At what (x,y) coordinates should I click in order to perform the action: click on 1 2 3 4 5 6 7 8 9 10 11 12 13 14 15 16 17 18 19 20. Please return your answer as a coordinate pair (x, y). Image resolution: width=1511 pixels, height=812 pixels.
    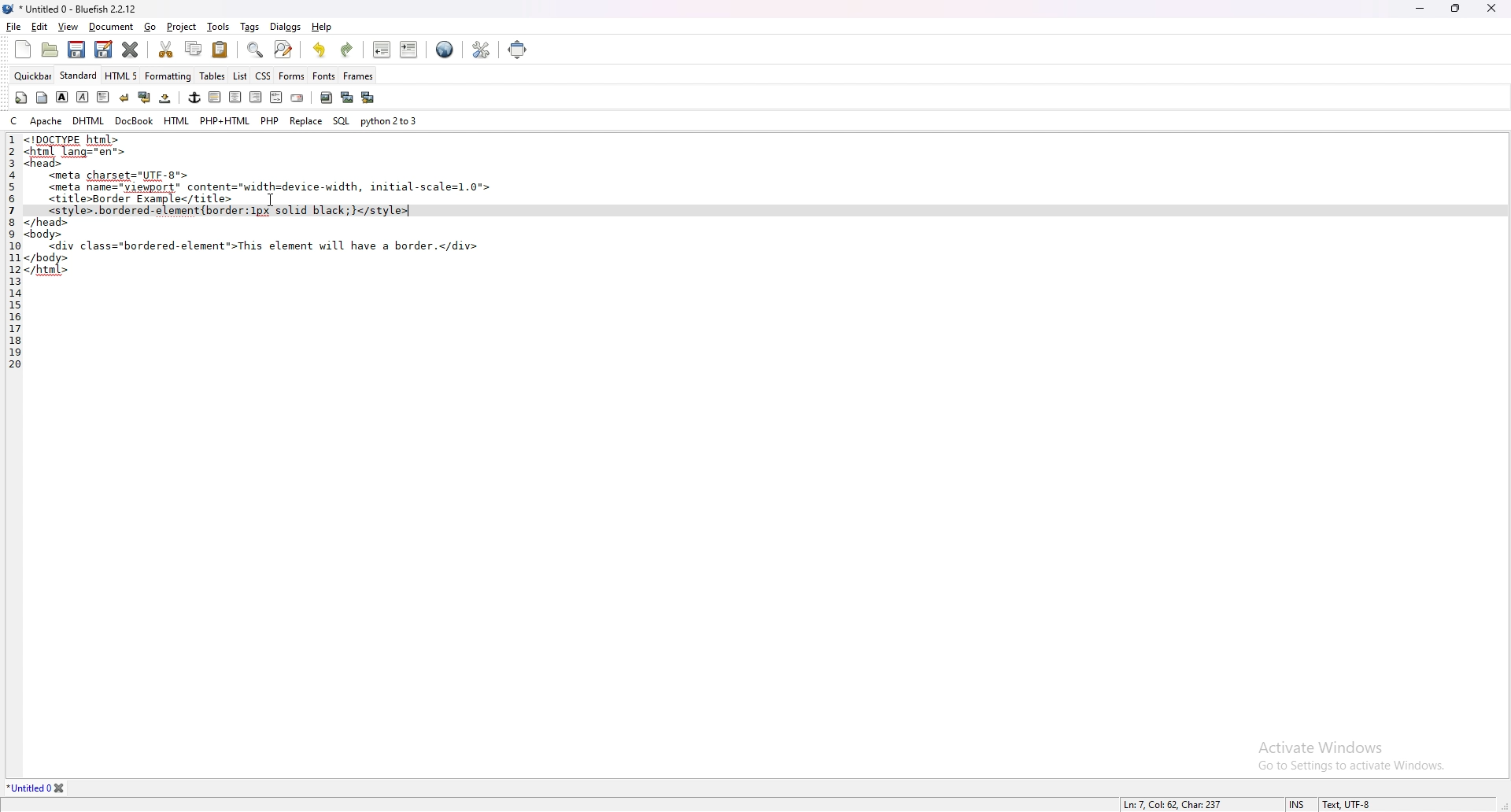
    Looking at the image, I should click on (11, 254).